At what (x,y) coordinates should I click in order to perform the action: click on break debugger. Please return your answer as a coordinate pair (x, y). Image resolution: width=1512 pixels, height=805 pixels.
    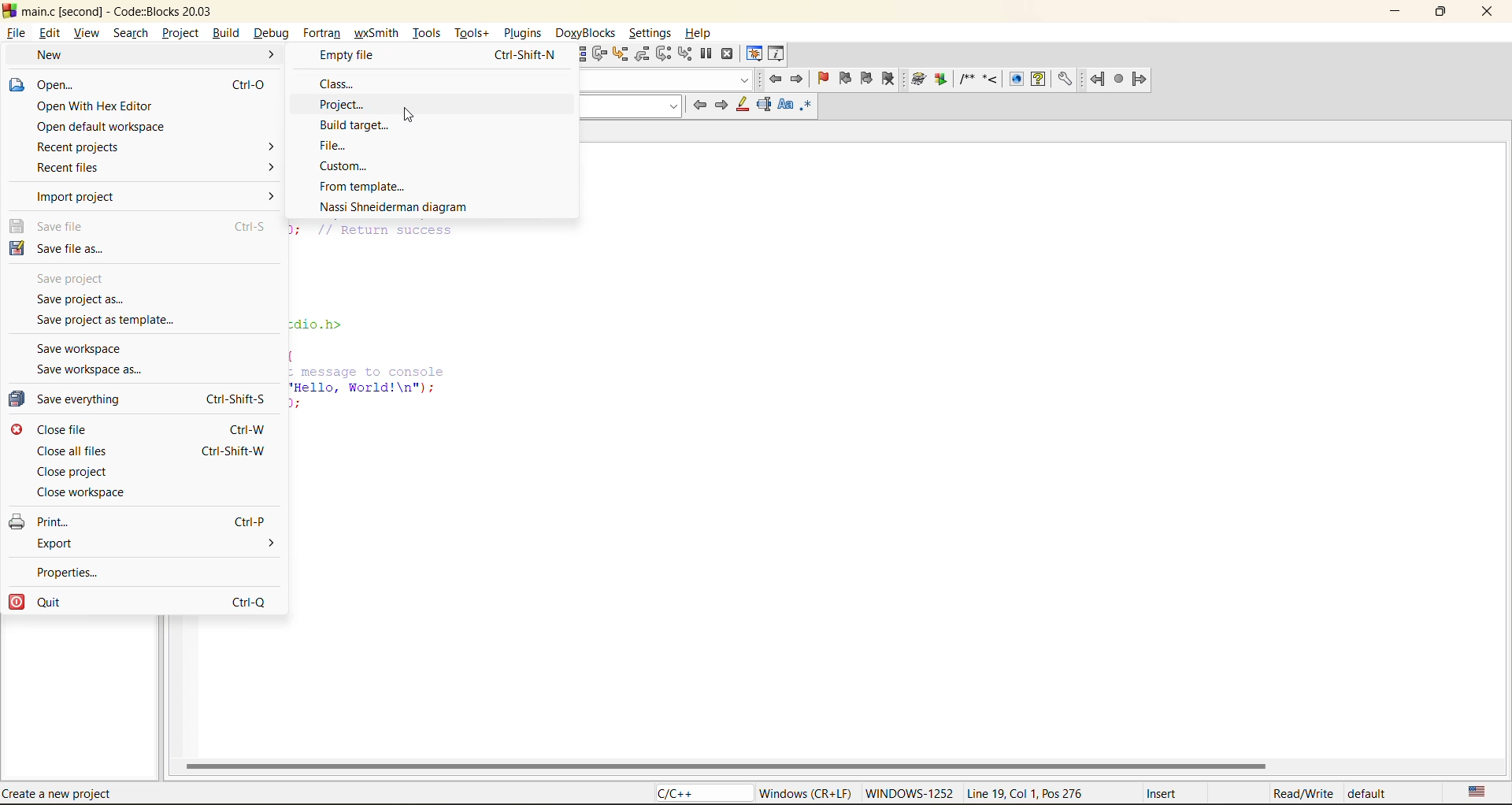
    Looking at the image, I should click on (706, 54).